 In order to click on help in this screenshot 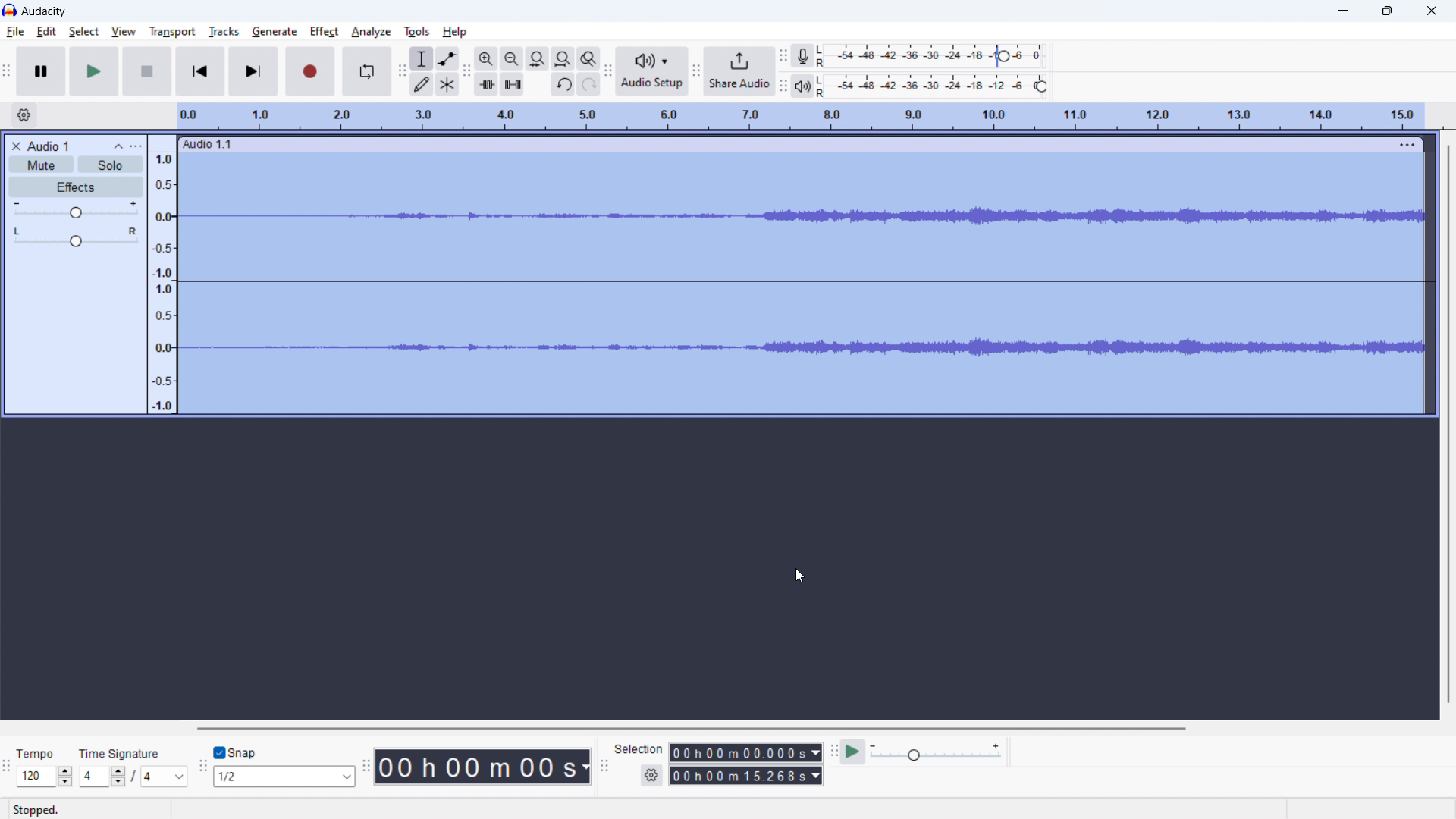, I will do `click(456, 32)`.